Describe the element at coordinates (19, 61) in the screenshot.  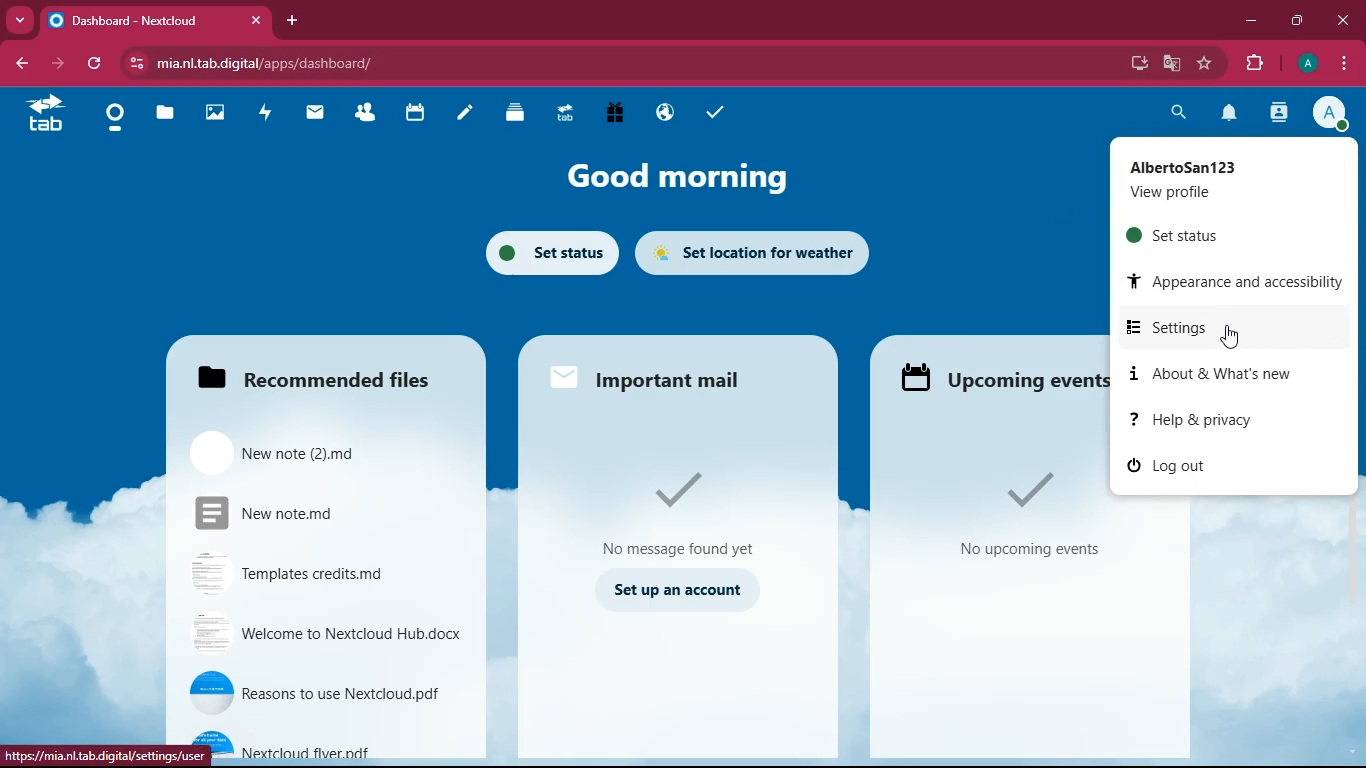
I see `backward` at that location.